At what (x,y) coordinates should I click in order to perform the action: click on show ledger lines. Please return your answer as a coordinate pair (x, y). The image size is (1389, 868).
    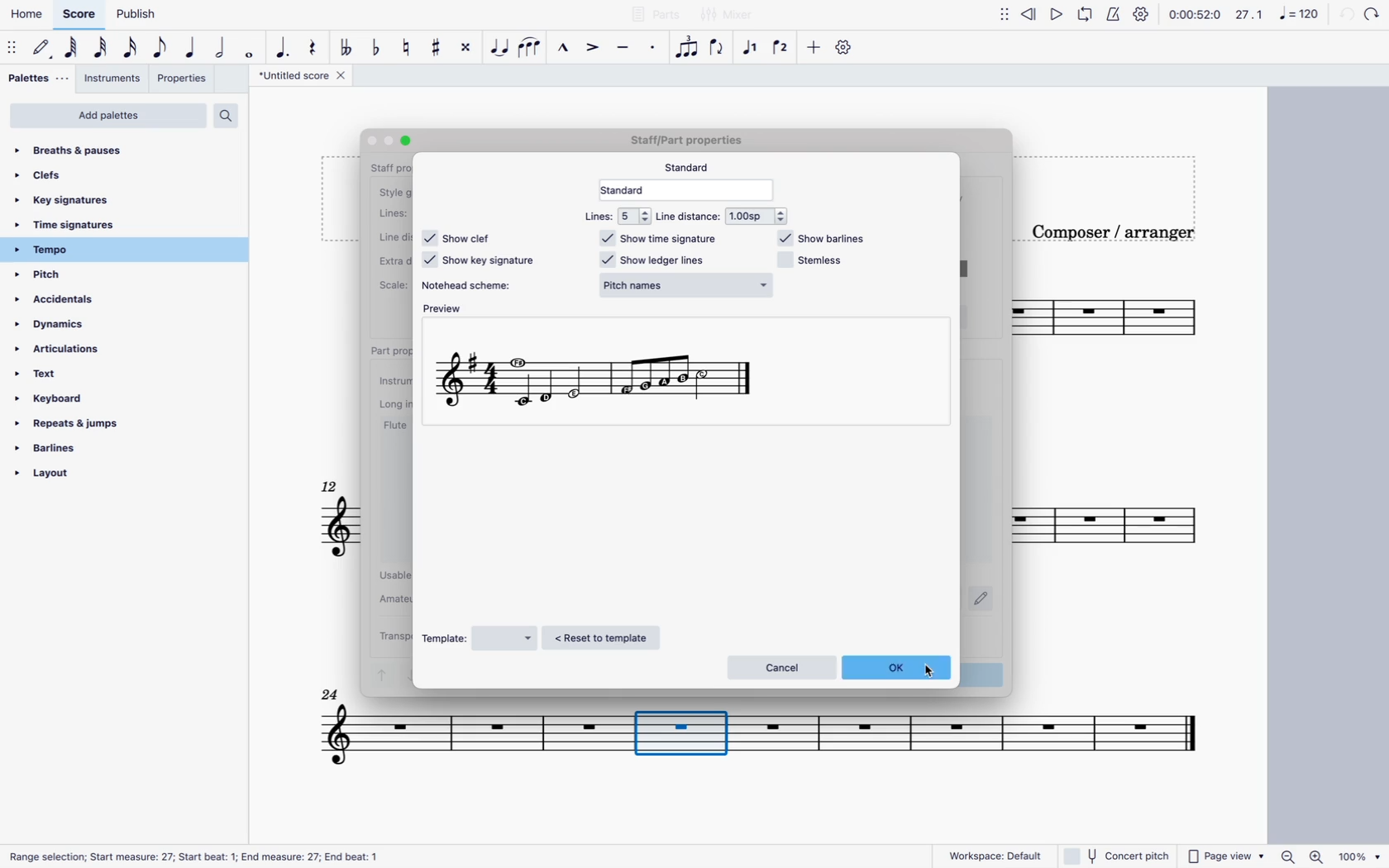
    Looking at the image, I should click on (653, 260).